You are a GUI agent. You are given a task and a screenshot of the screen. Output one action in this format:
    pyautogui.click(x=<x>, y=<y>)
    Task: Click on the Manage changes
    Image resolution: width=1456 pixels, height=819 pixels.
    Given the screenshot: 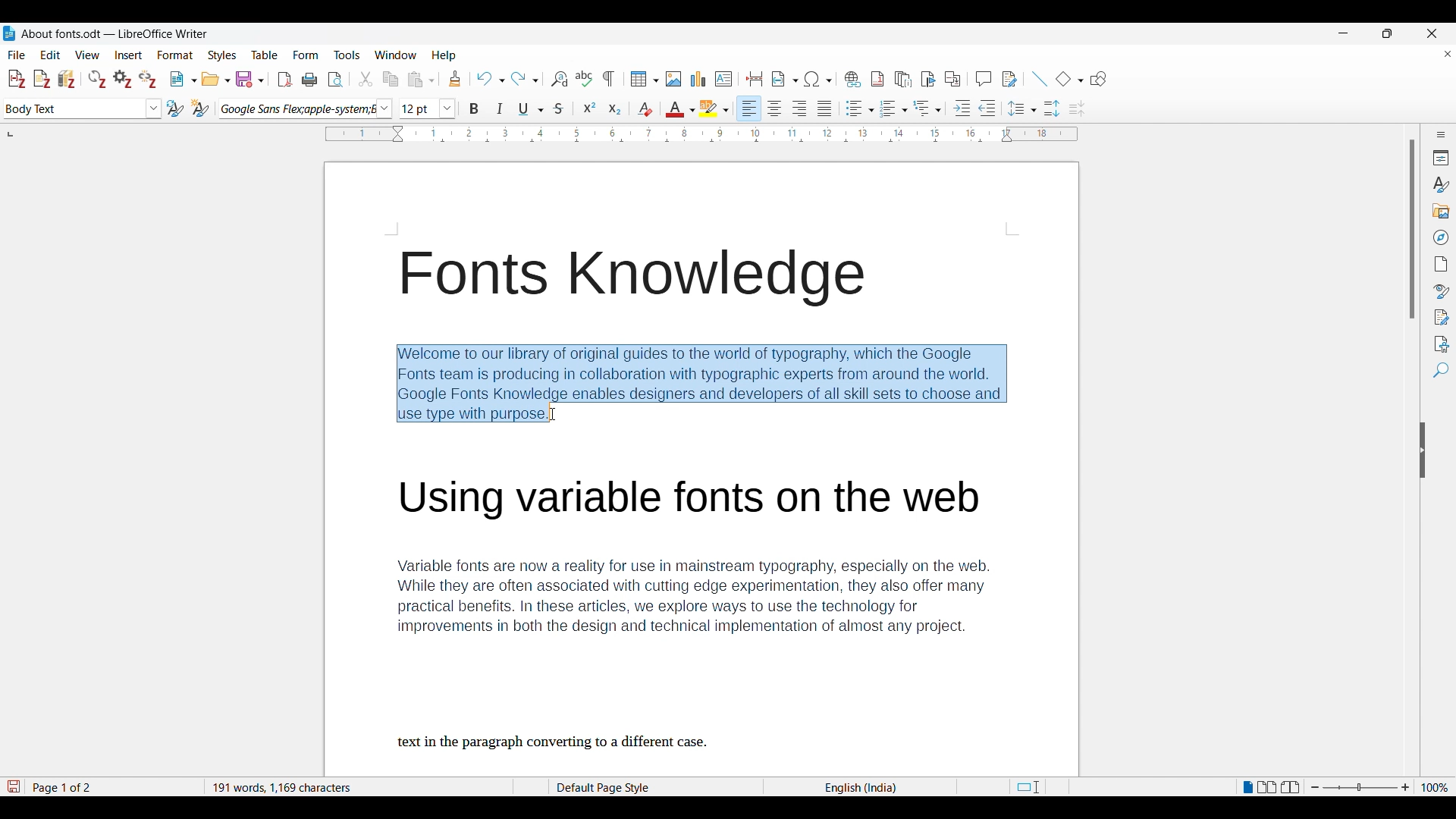 What is the action you would take?
    pyautogui.click(x=1442, y=318)
    